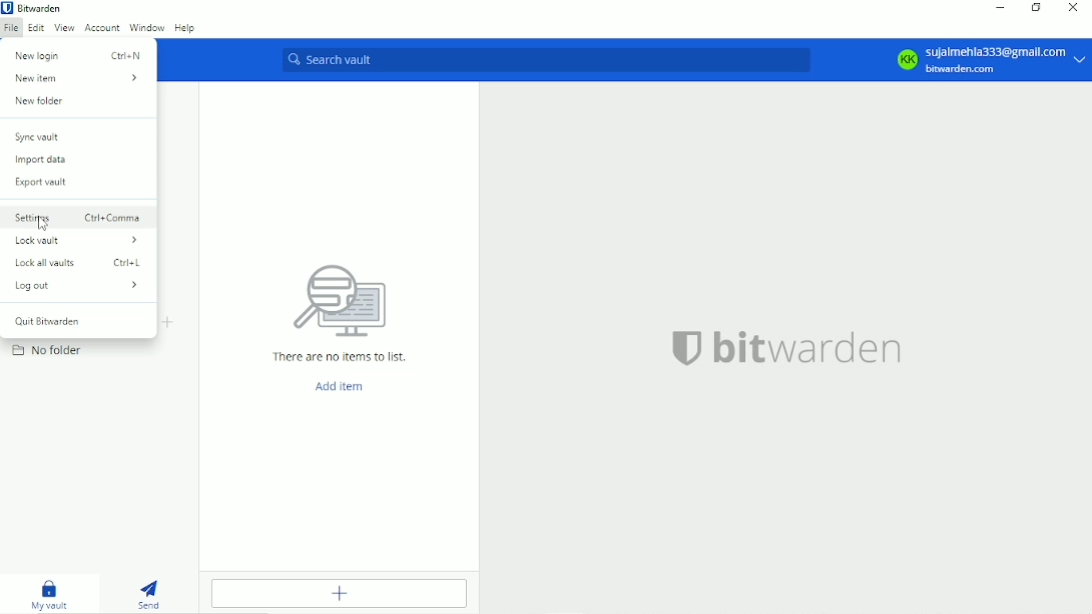  I want to click on No folder, so click(49, 350).